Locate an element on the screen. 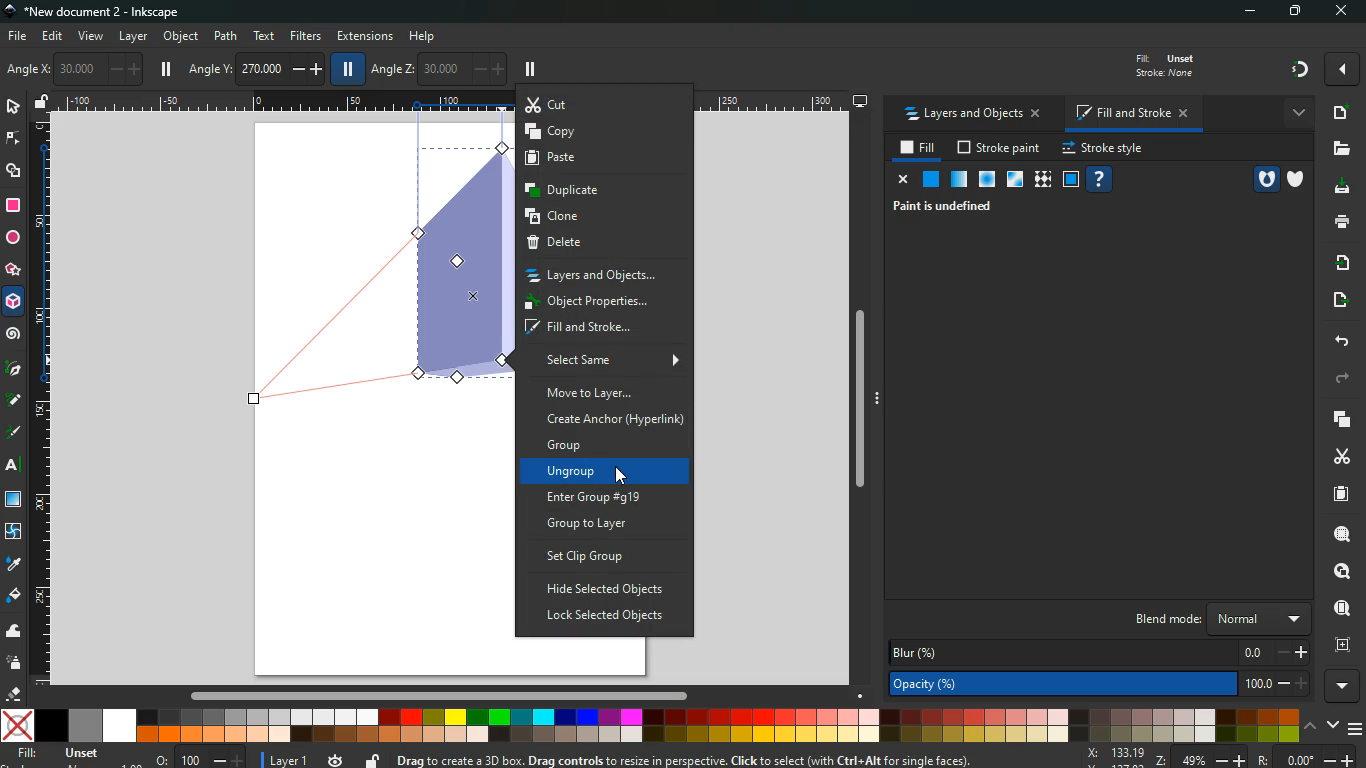  unlock is located at coordinates (42, 103).